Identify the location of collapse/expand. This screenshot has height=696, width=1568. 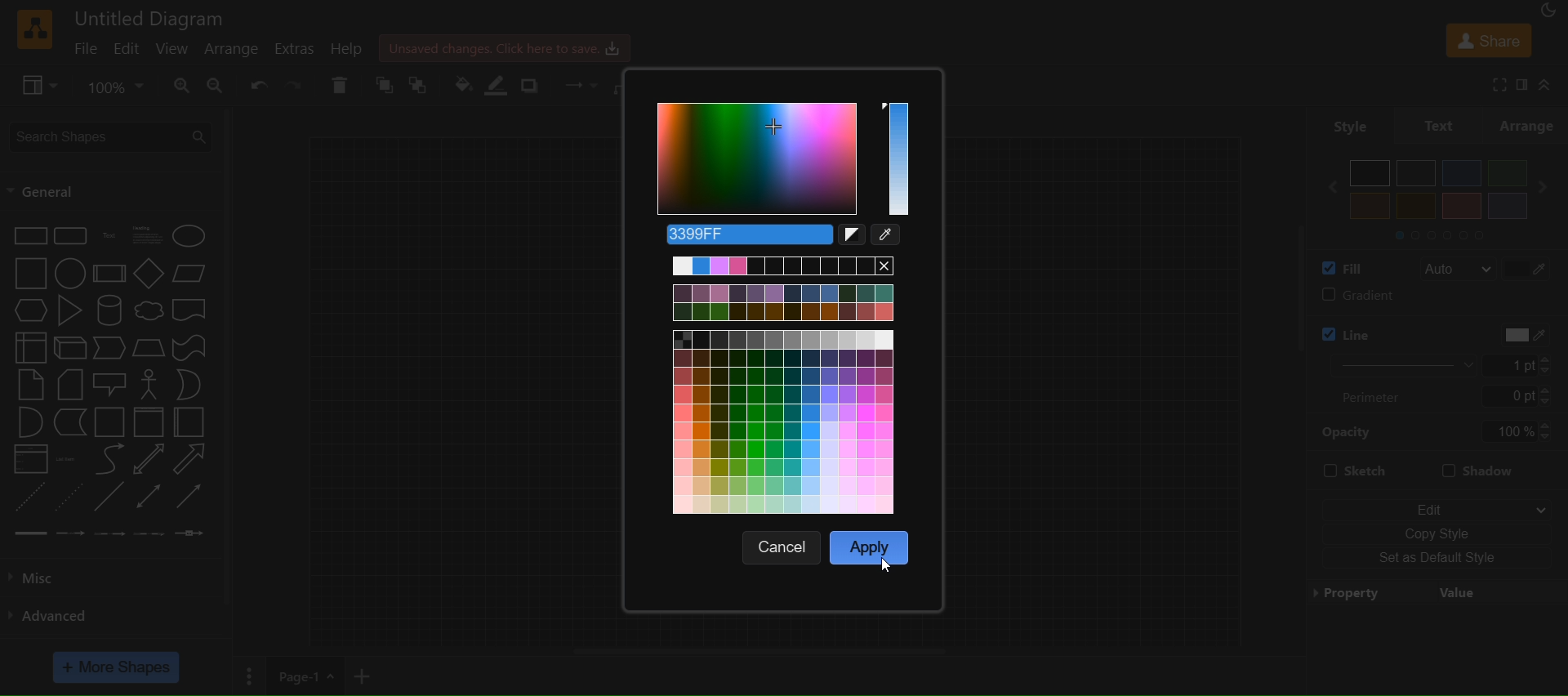
(1552, 85).